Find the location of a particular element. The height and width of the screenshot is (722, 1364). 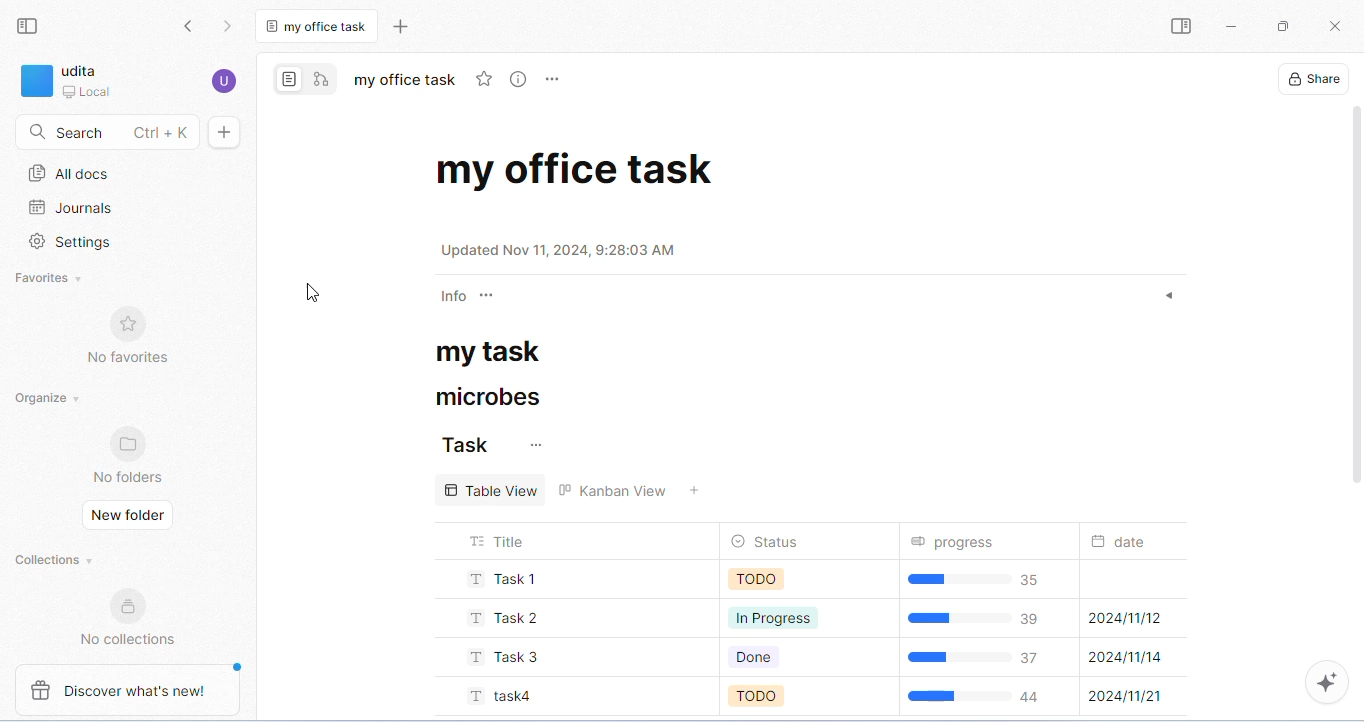

task is located at coordinates (465, 446).